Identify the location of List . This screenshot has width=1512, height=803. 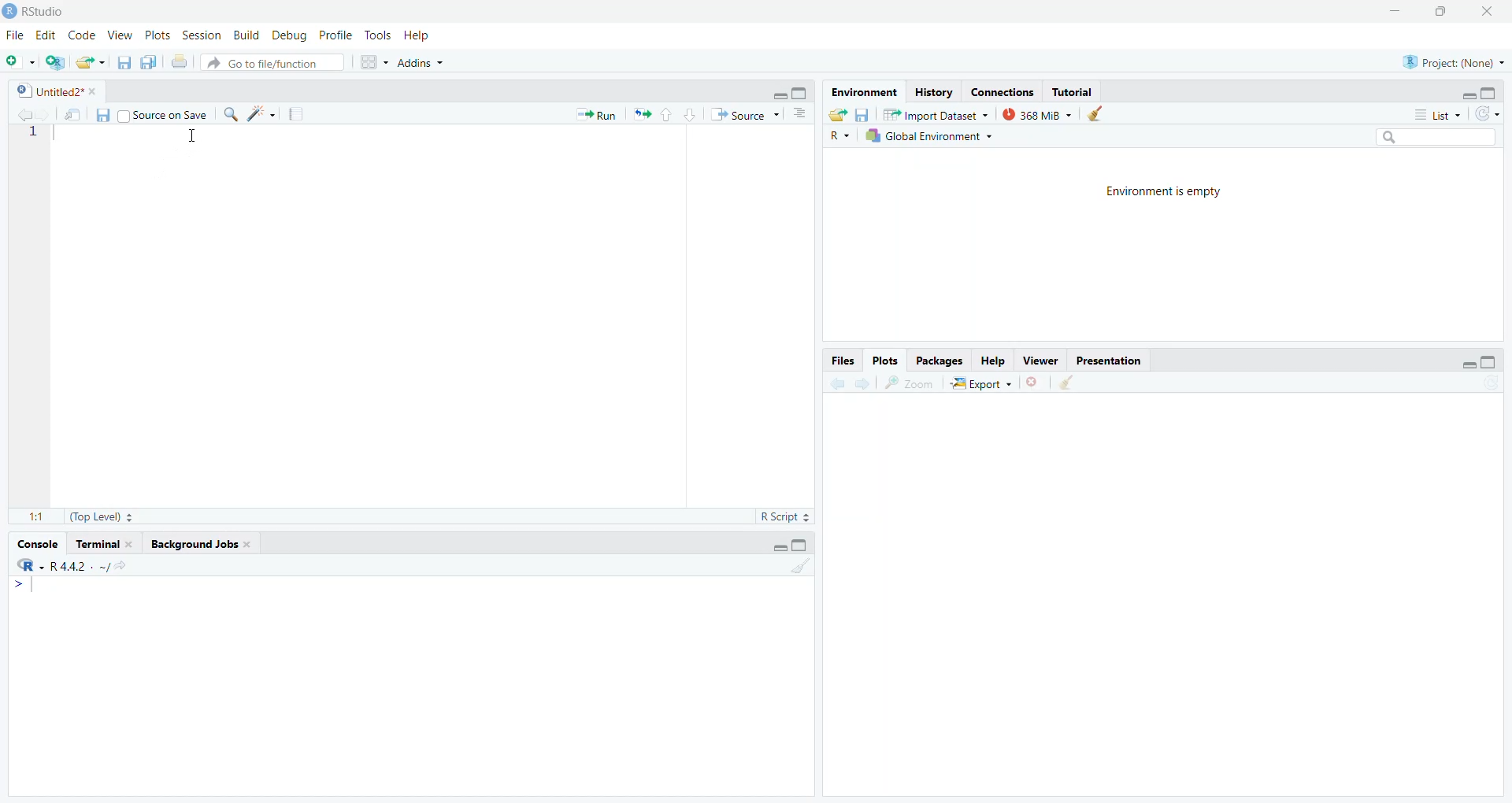
(1436, 115).